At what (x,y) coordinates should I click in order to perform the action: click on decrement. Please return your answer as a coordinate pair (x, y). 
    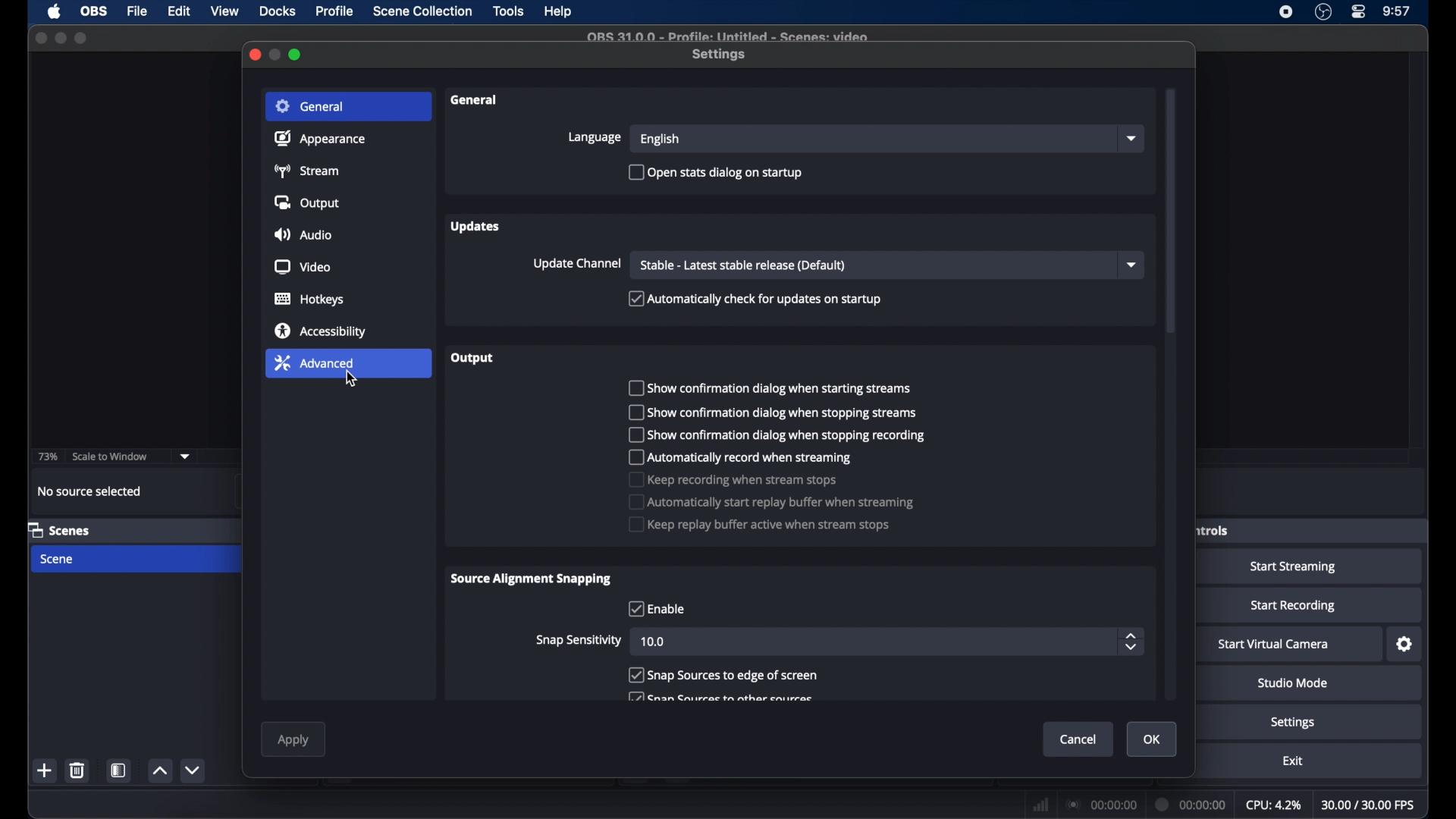
    Looking at the image, I should click on (194, 770).